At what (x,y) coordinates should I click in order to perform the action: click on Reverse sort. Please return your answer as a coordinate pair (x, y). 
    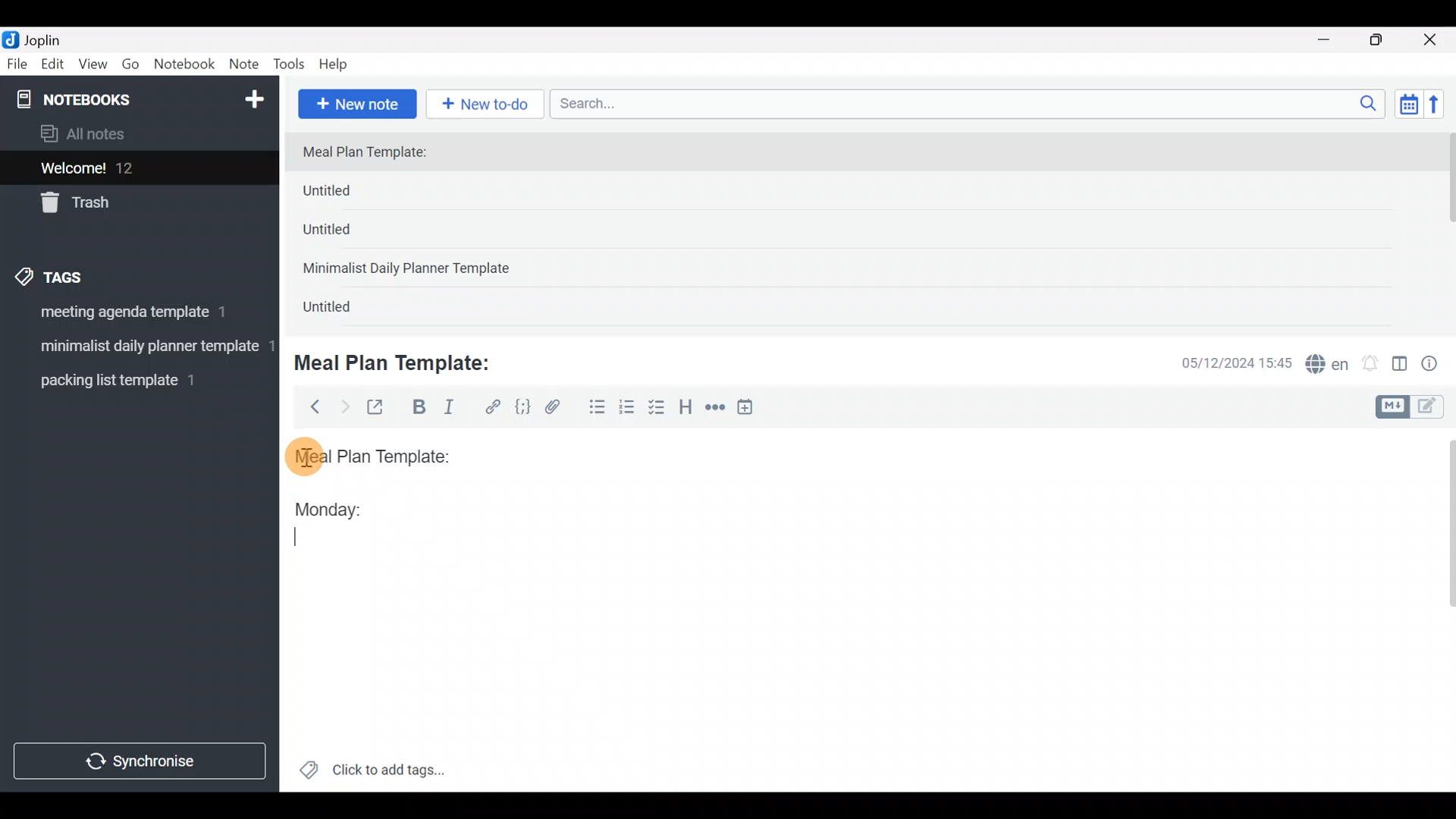
    Looking at the image, I should click on (1442, 108).